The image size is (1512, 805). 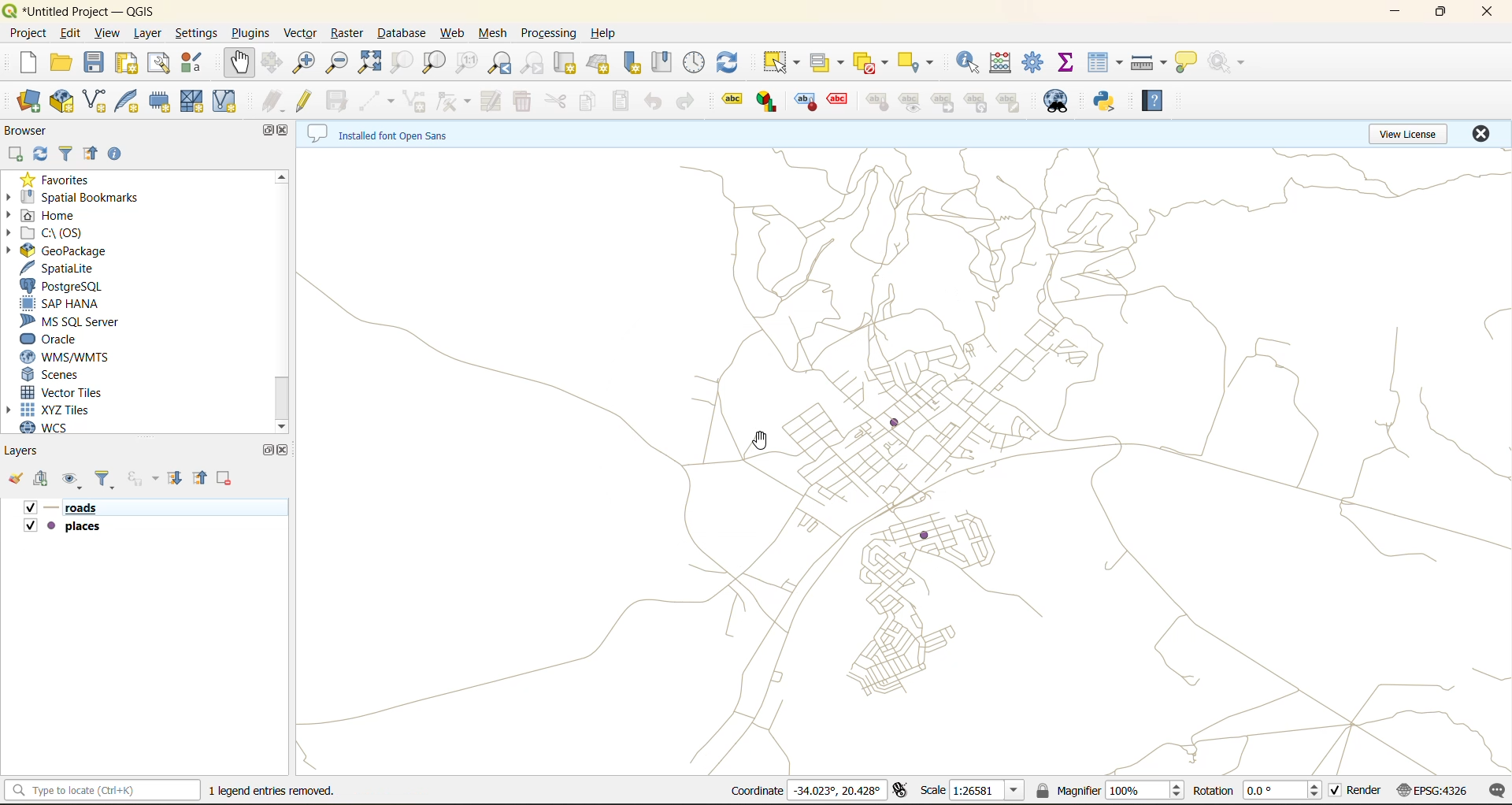 I want to click on mesh, so click(x=494, y=32).